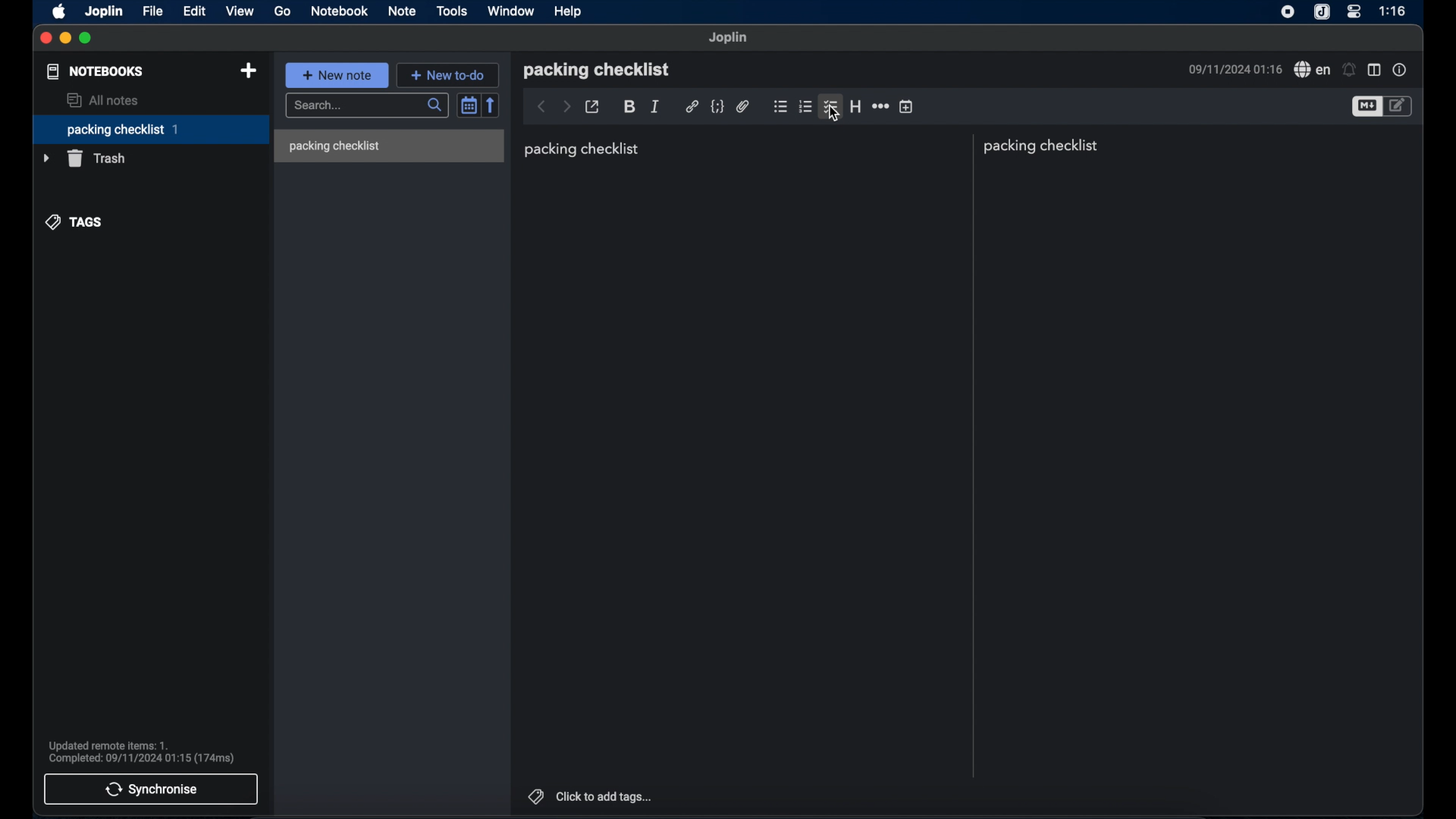 This screenshot has width=1456, height=819. I want to click on note properties, so click(1401, 70).